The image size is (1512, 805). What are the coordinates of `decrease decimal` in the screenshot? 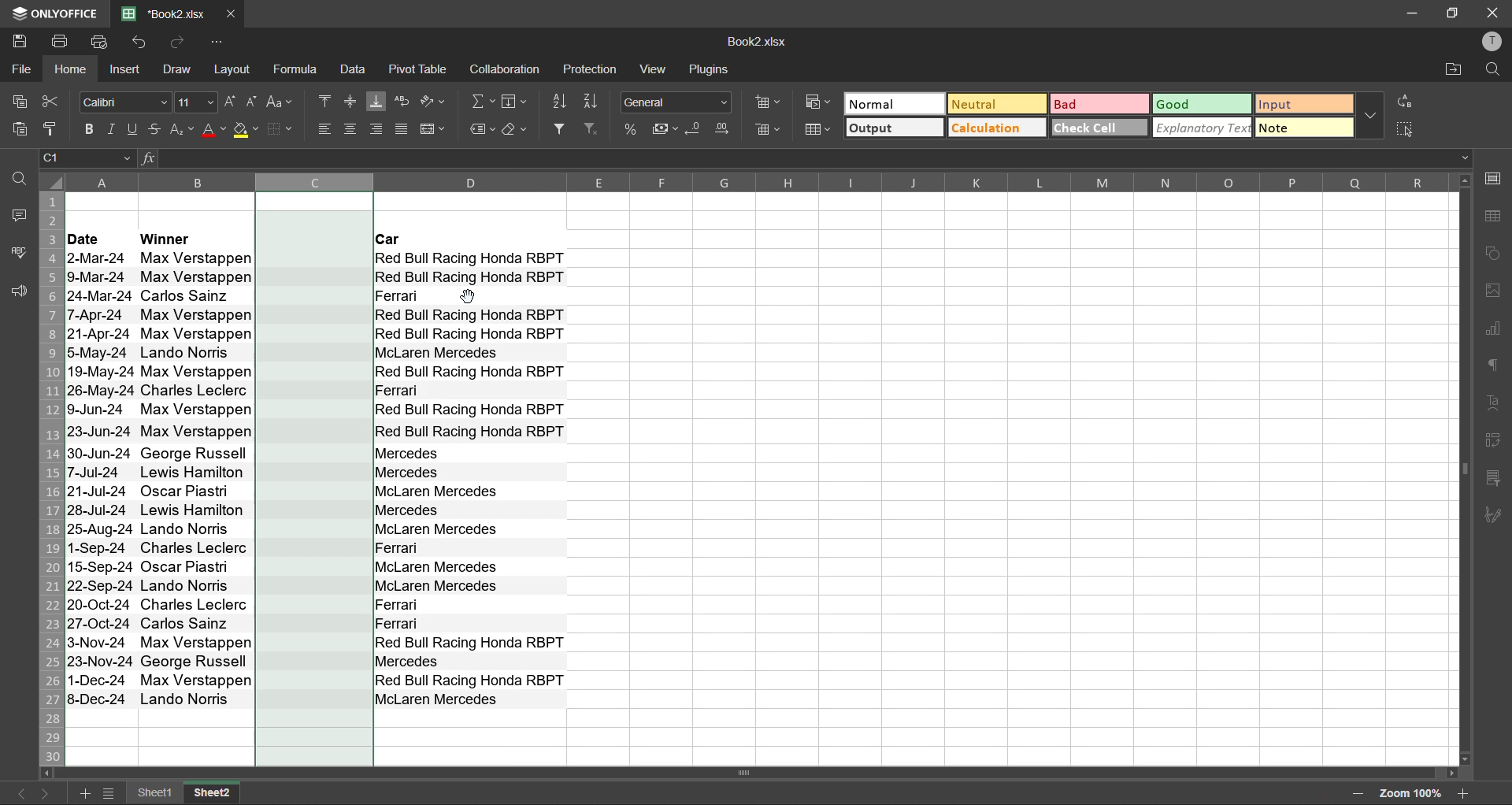 It's located at (695, 130).